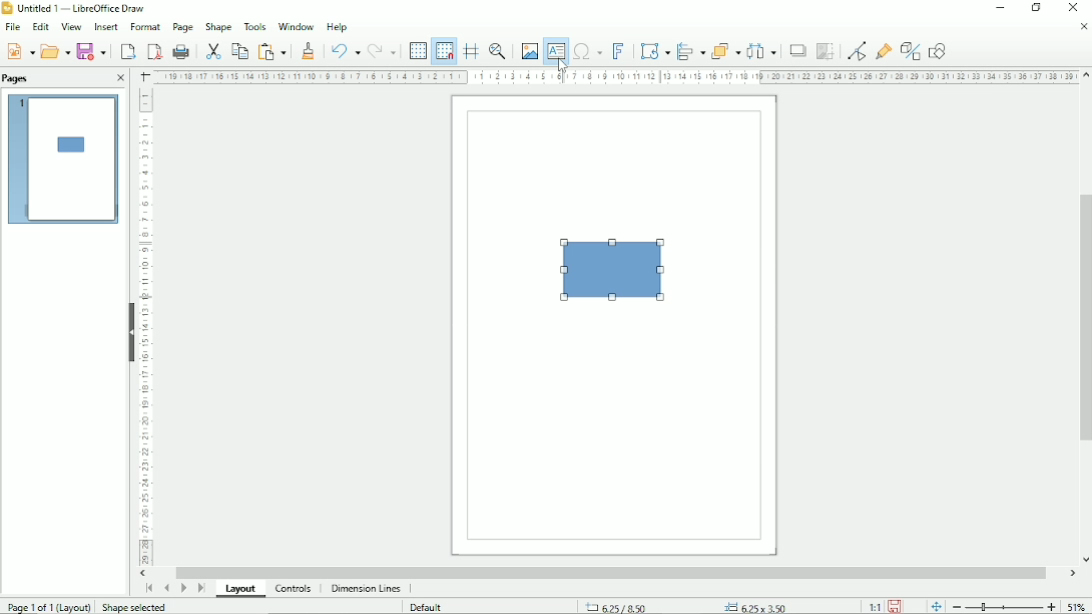  What do you see at coordinates (443, 51) in the screenshot?
I see `Snap to grid` at bounding box center [443, 51].